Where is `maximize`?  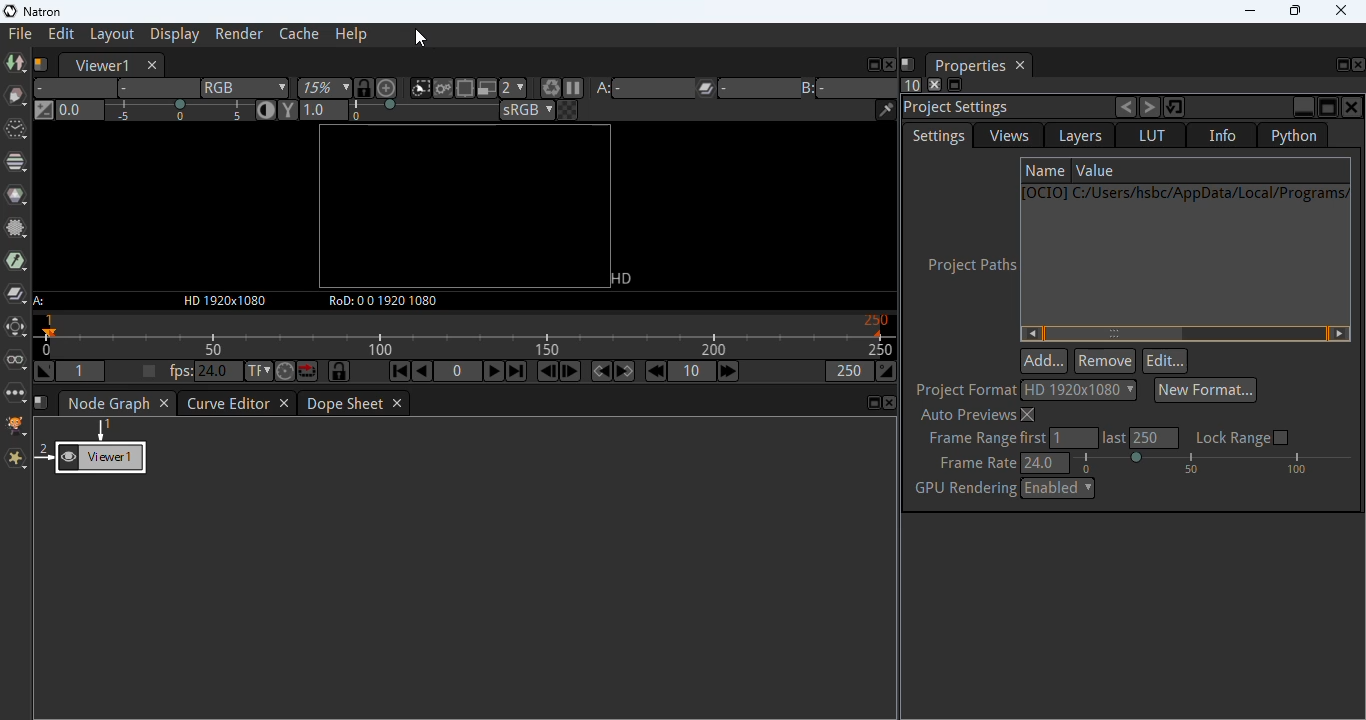
maximize is located at coordinates (1295, 10).